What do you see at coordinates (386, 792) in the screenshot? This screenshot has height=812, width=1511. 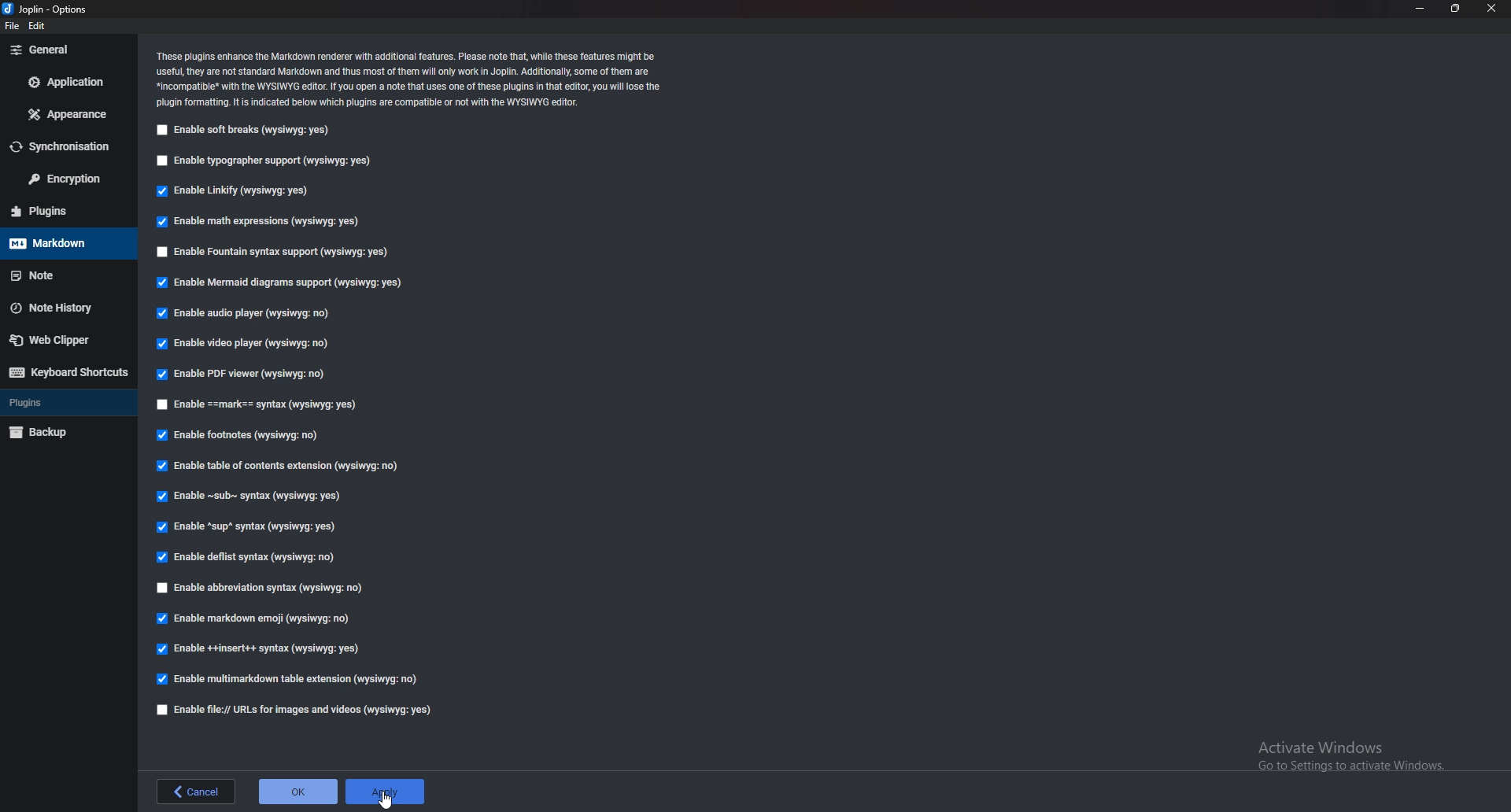 I see `apply` at bounding box center [386, 792].